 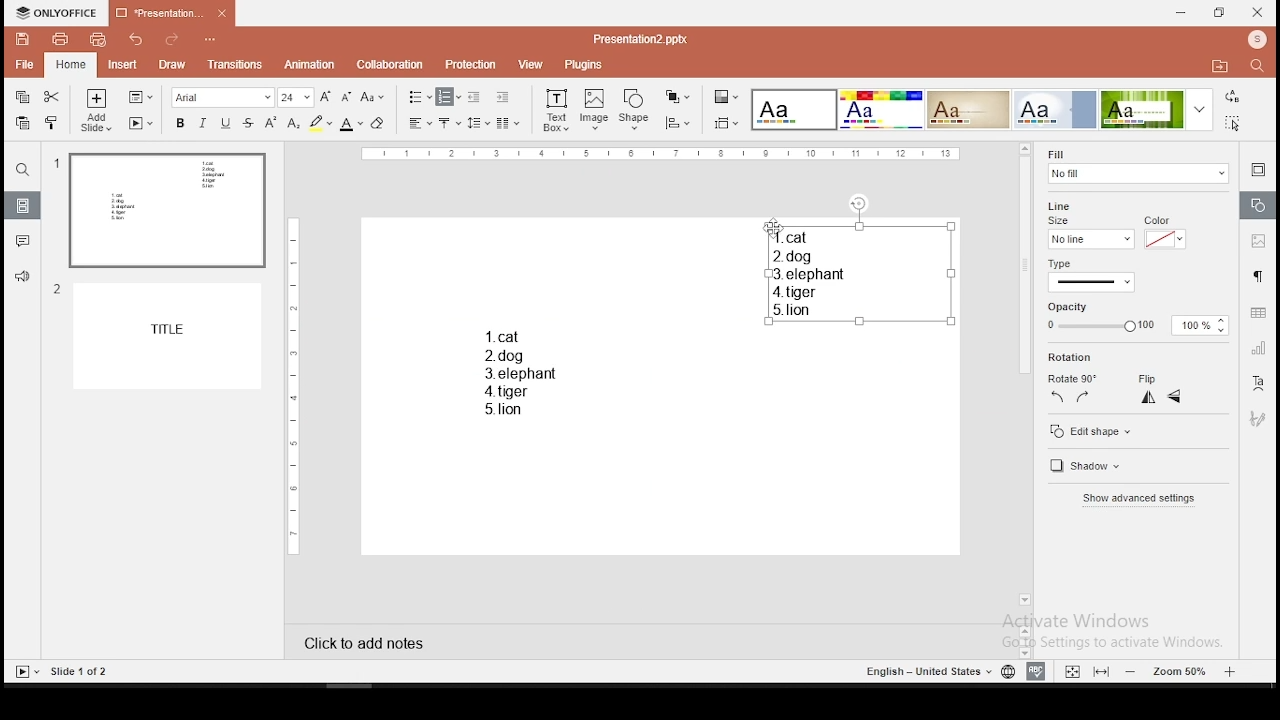 I want to click on line type, so click(x=1092, y=282).